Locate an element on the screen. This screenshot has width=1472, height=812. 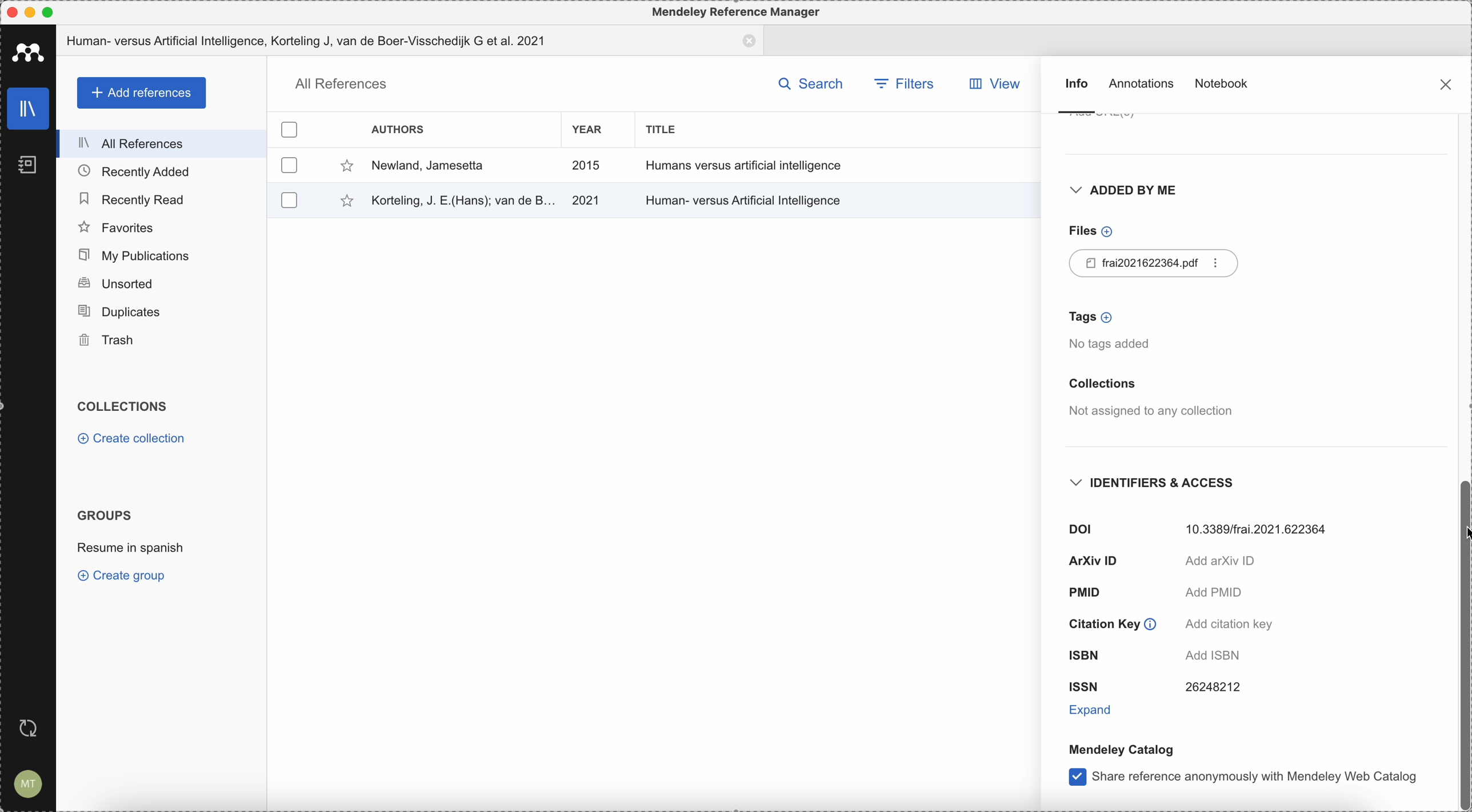
my publications is located at coordinates (164, 255).